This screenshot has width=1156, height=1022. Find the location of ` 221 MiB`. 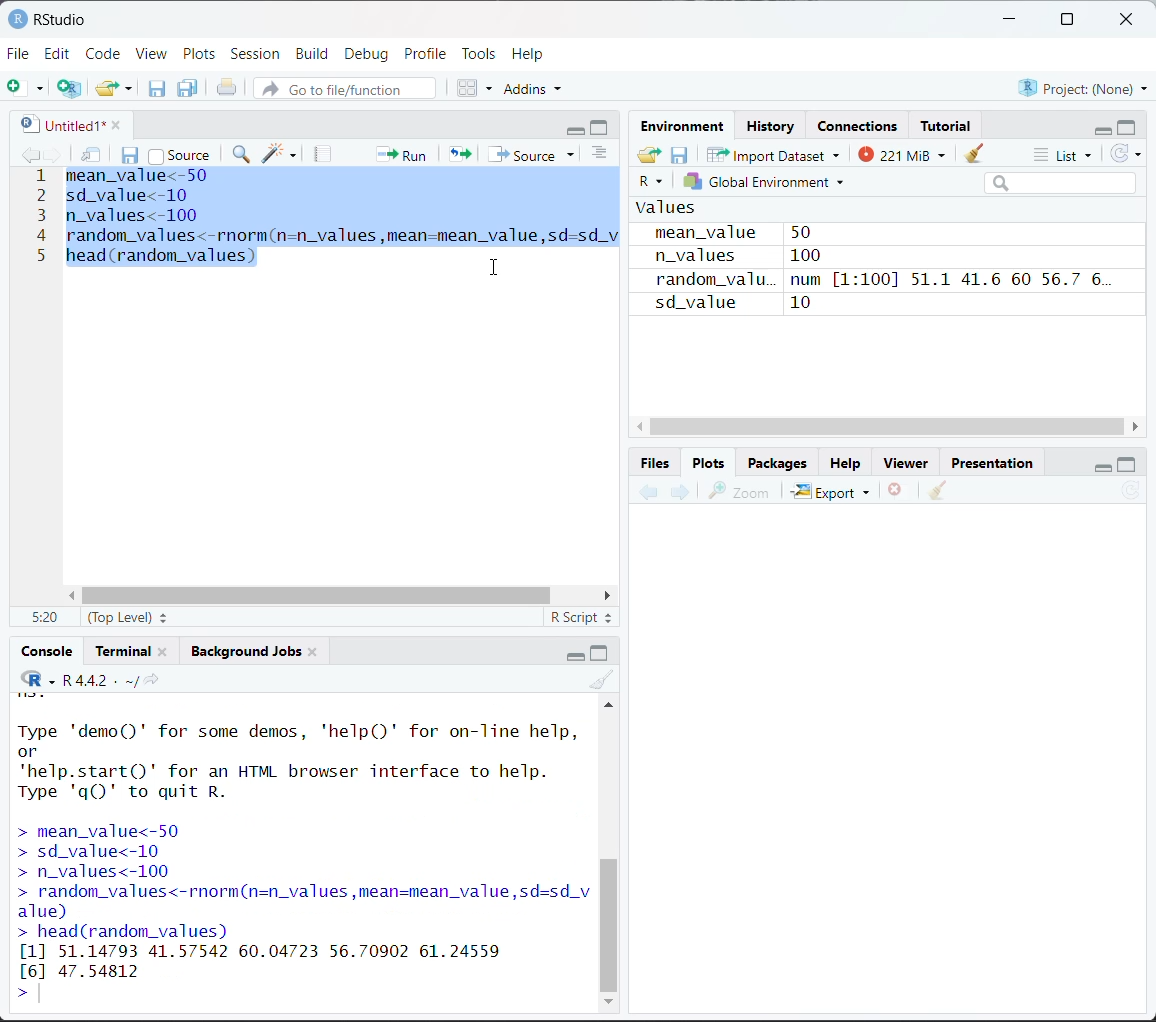

 221 MiB is located at coordinates (899, 152).